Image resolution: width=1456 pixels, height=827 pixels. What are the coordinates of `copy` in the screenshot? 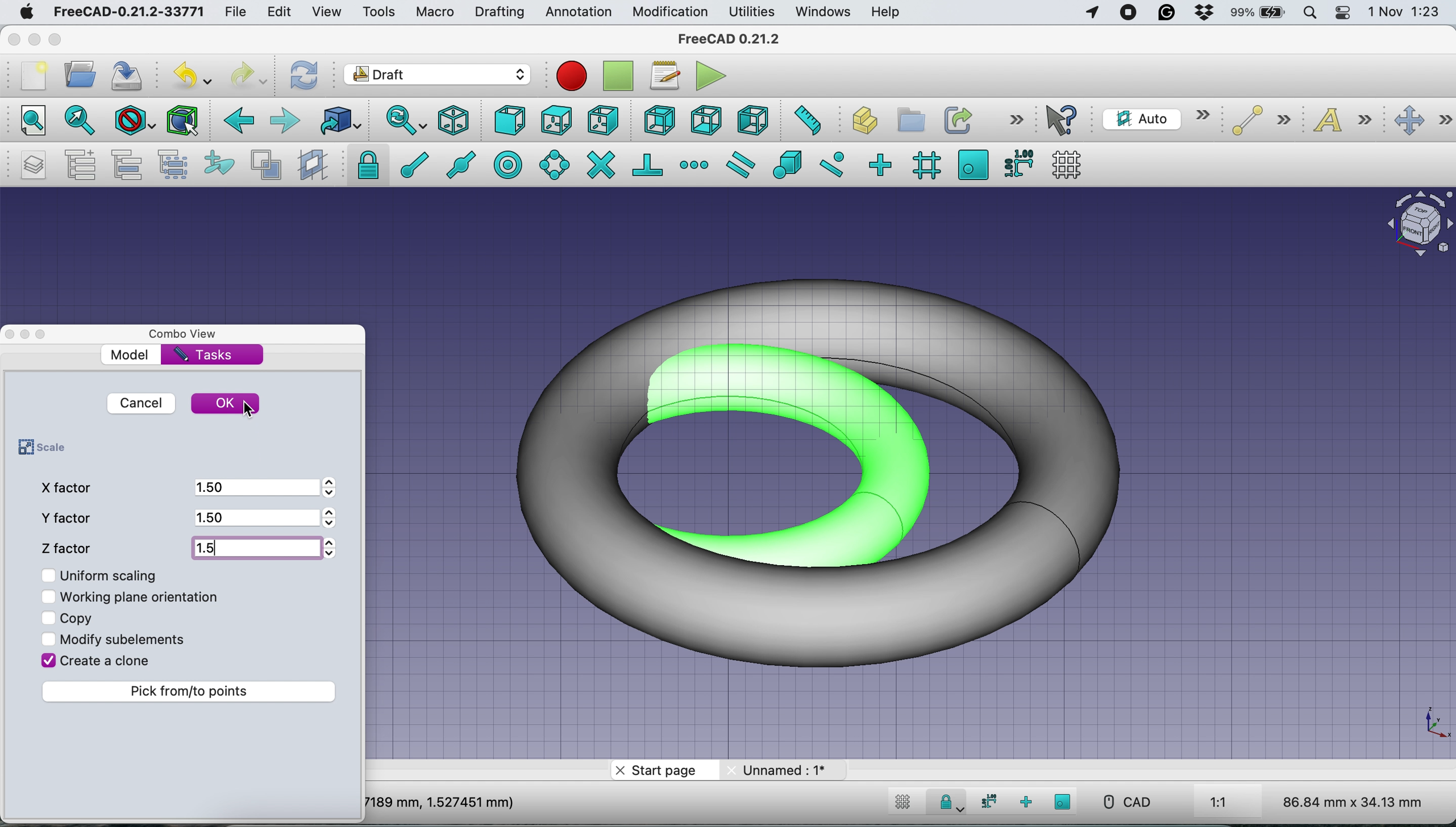 It's located at (78, 616).